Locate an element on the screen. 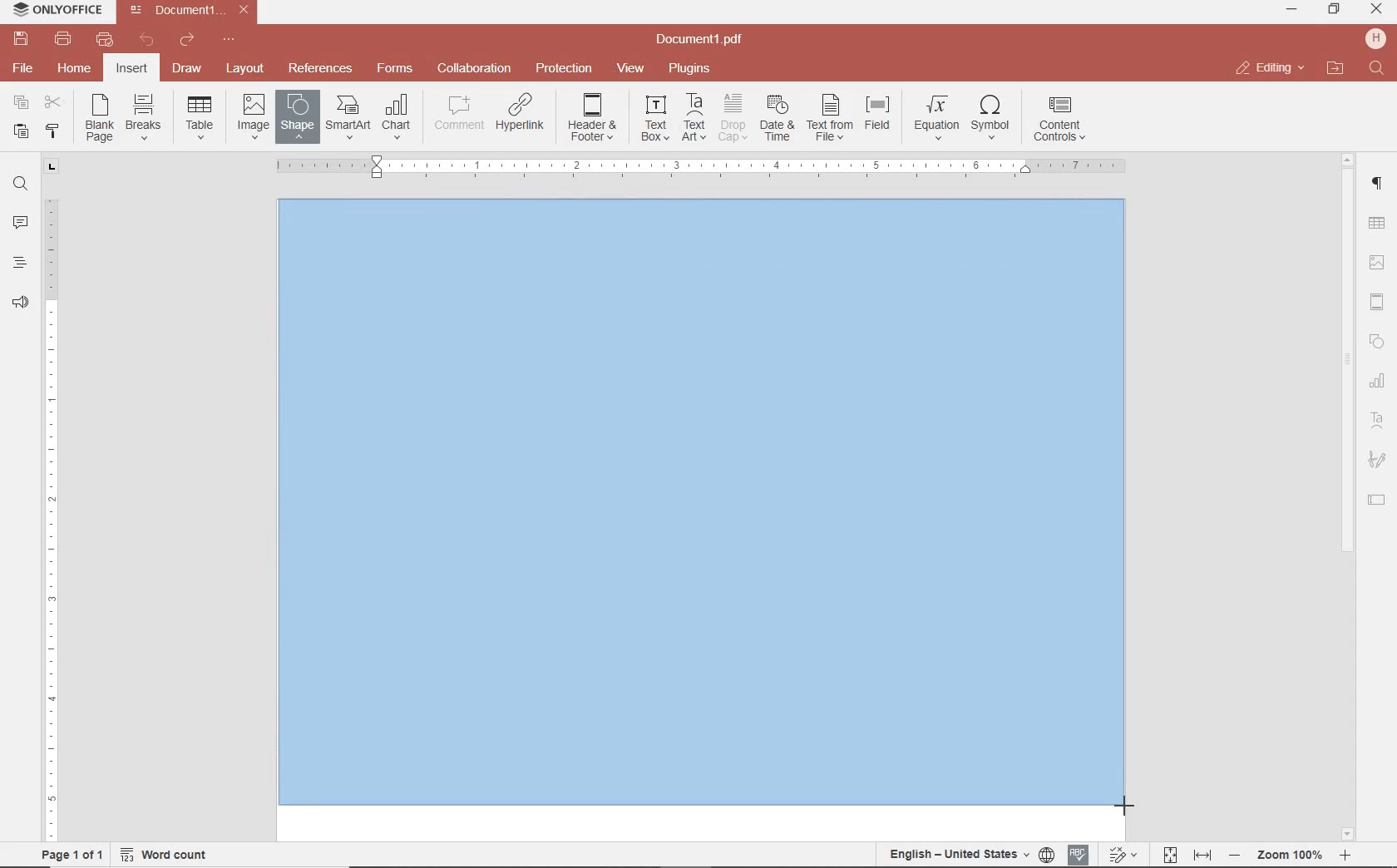 The height and width of the screenshot is (868, 1397). TABLE is located at coordinates (1377, 225).